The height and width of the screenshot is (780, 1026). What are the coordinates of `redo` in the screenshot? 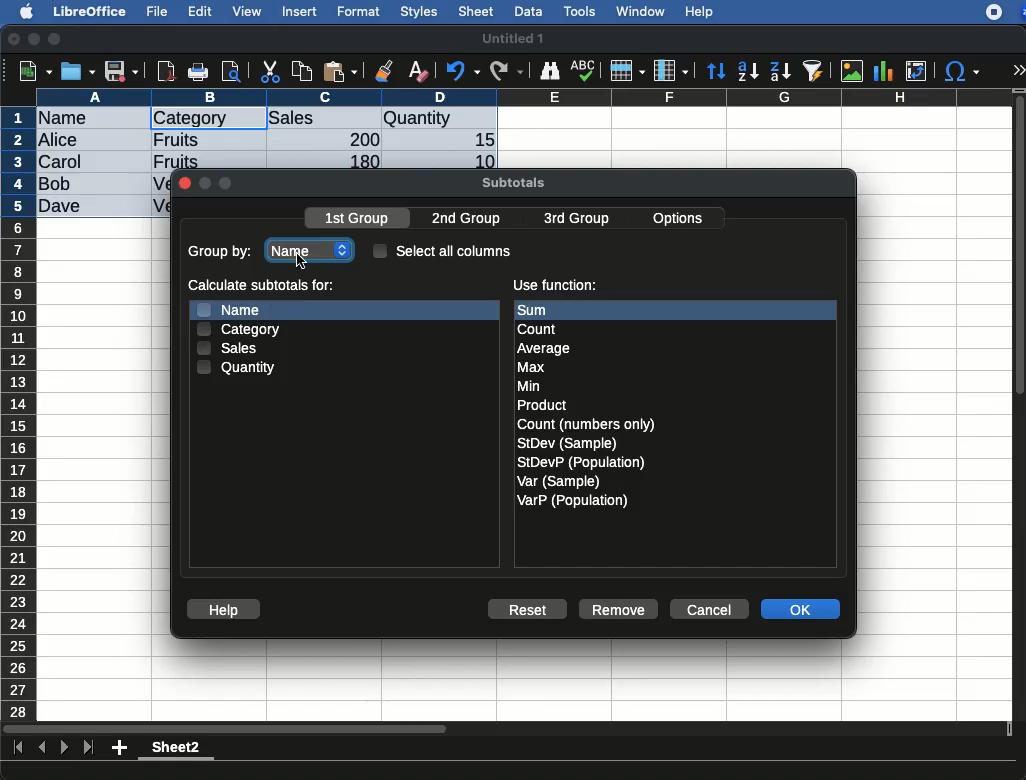 It's located at (507, 71).